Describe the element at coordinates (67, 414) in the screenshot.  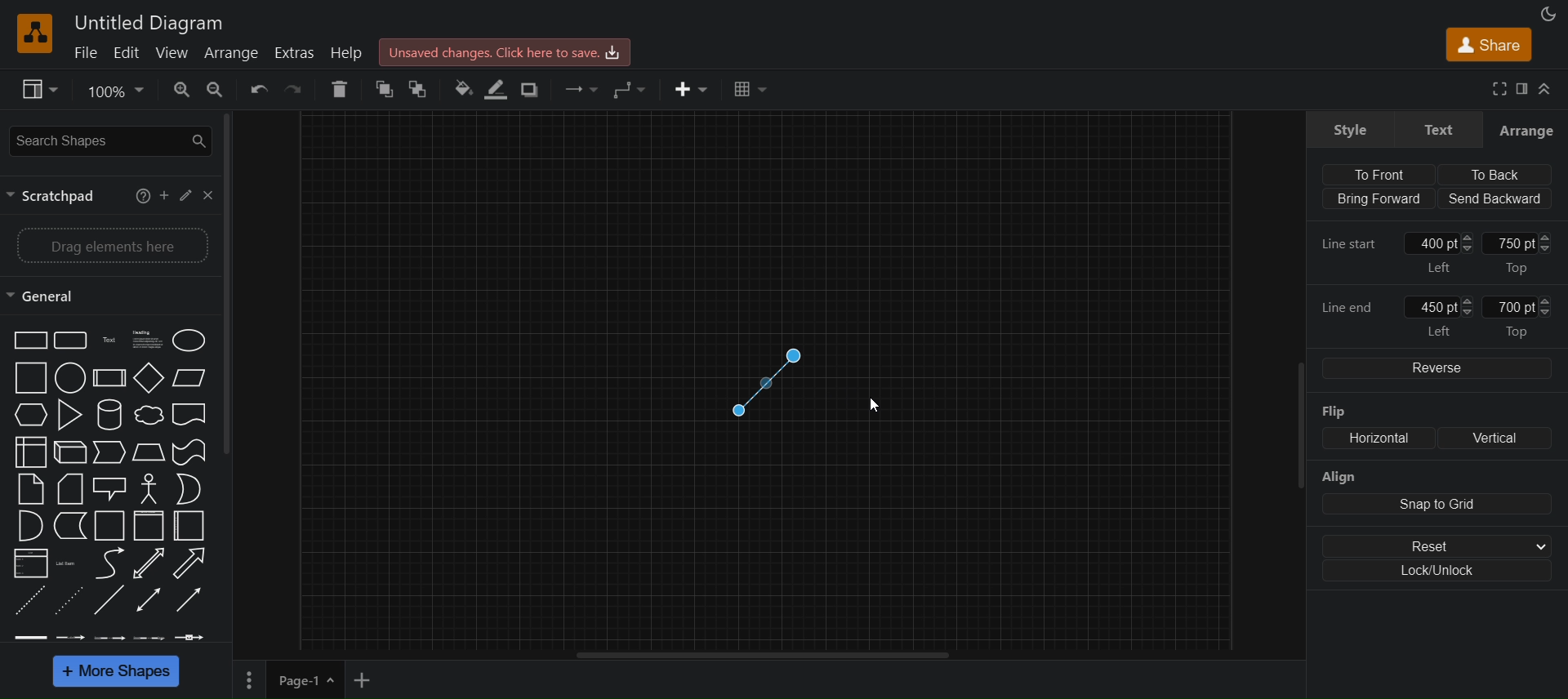
I see `Triangle` at that location.